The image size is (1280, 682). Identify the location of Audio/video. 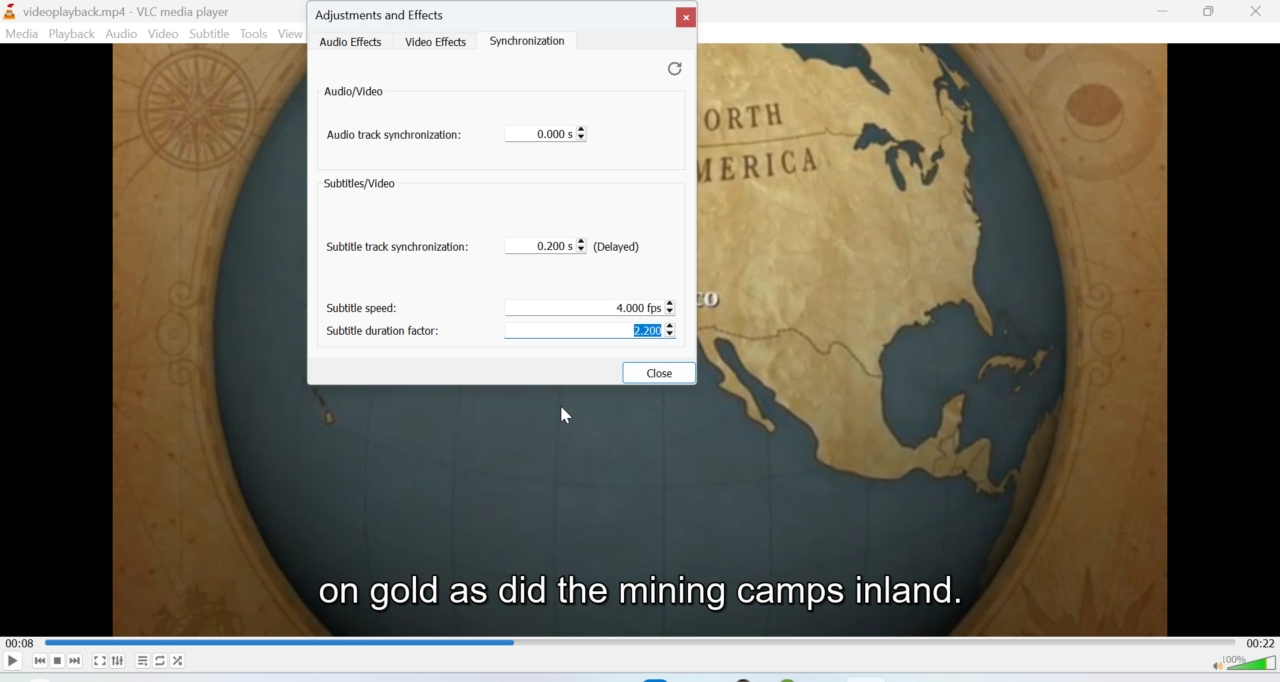
(356, 92).